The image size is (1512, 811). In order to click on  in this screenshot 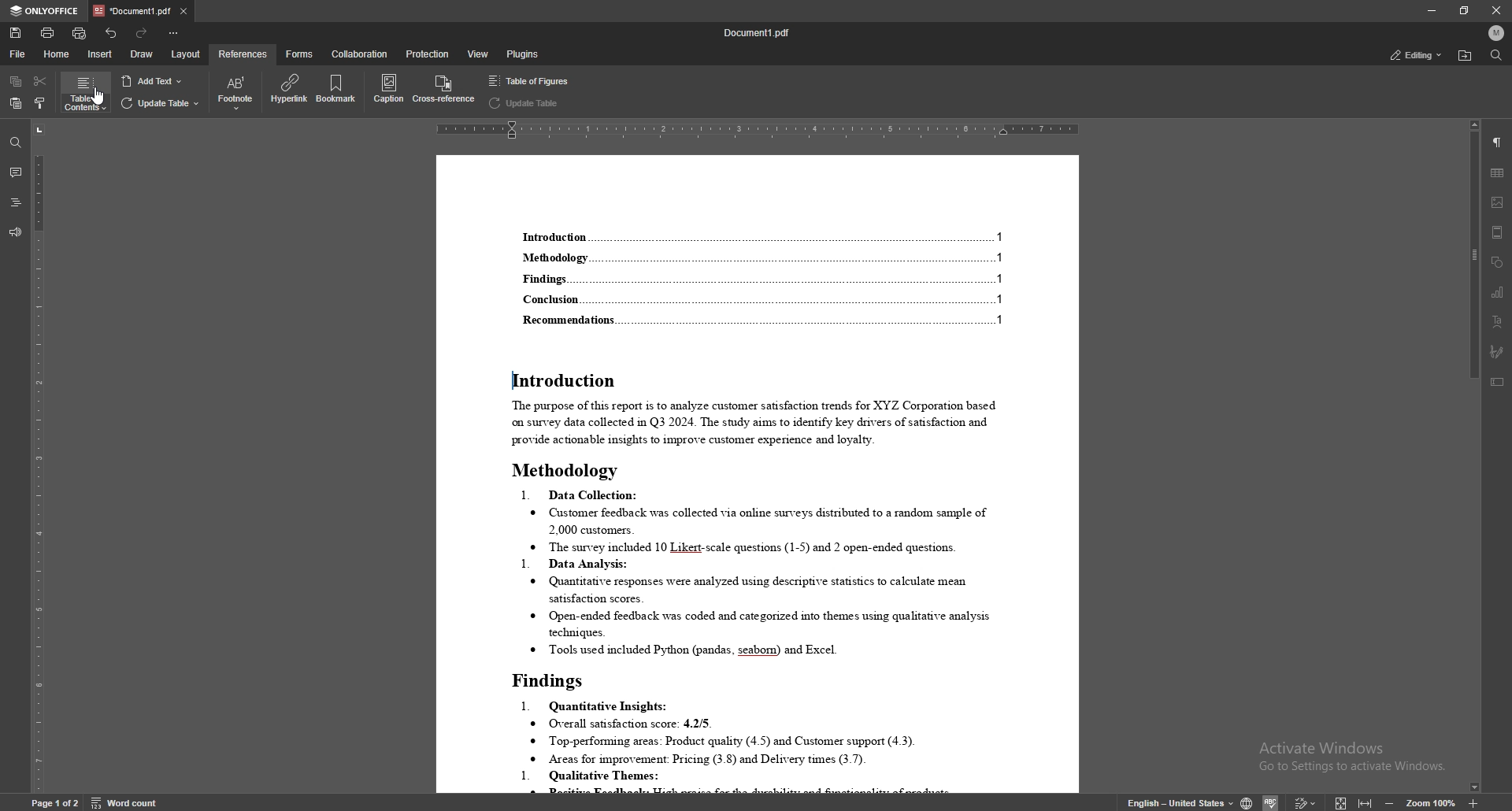, I will do `click(1270, 802)`.